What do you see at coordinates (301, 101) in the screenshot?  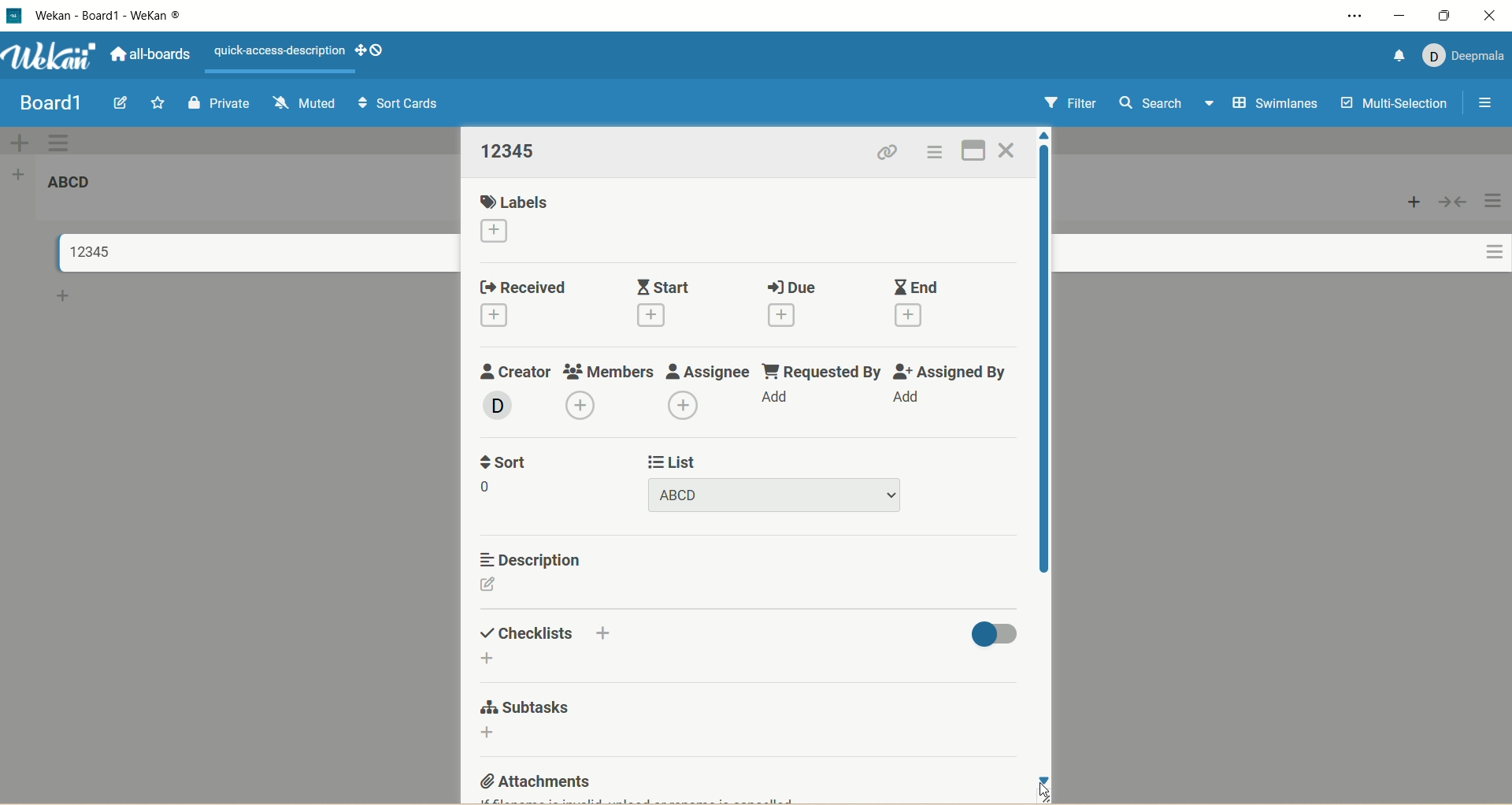 I see `muted` at bounding box center [301, 101].